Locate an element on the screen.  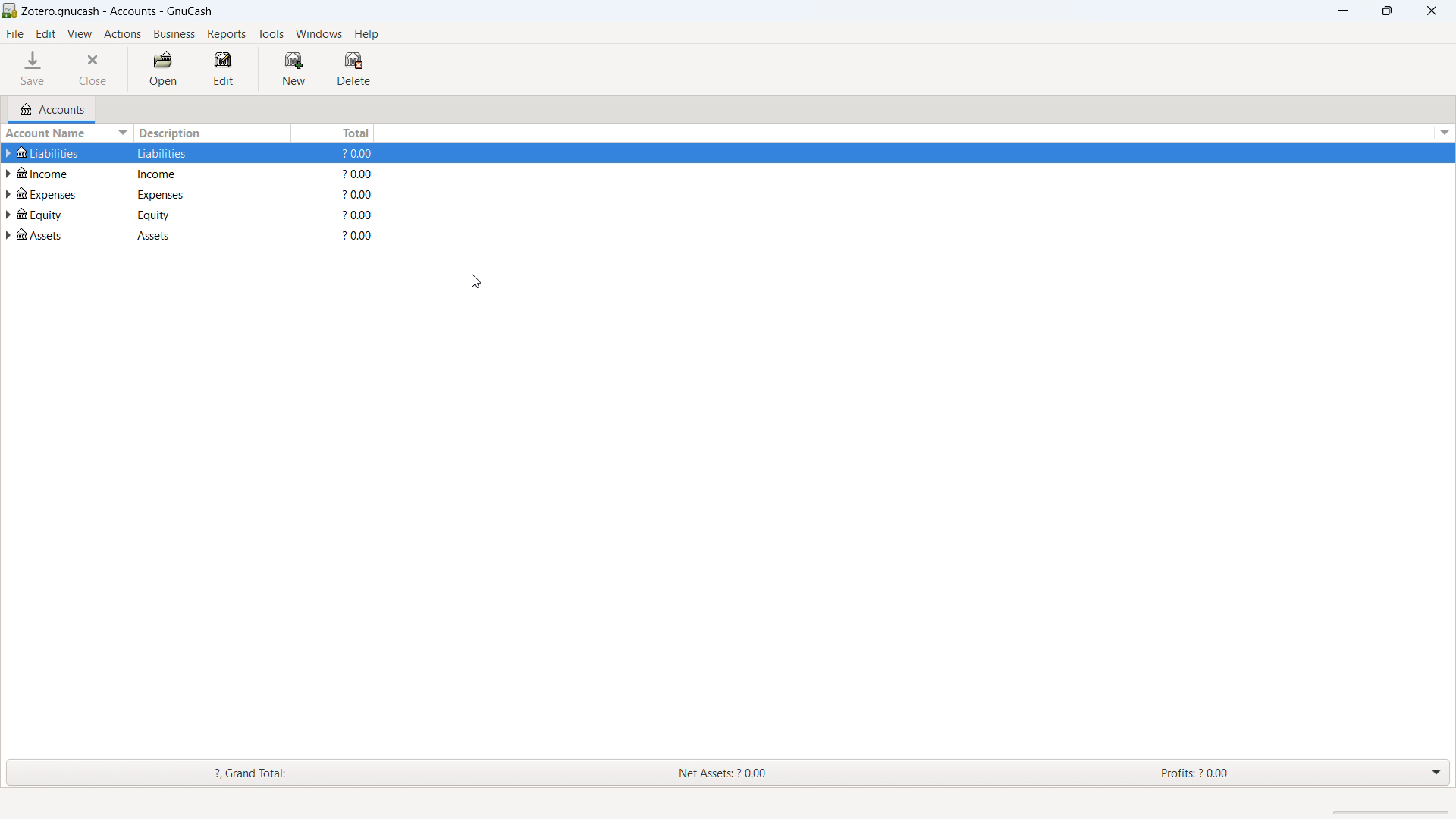
tools is located at coordinates (271, 34).